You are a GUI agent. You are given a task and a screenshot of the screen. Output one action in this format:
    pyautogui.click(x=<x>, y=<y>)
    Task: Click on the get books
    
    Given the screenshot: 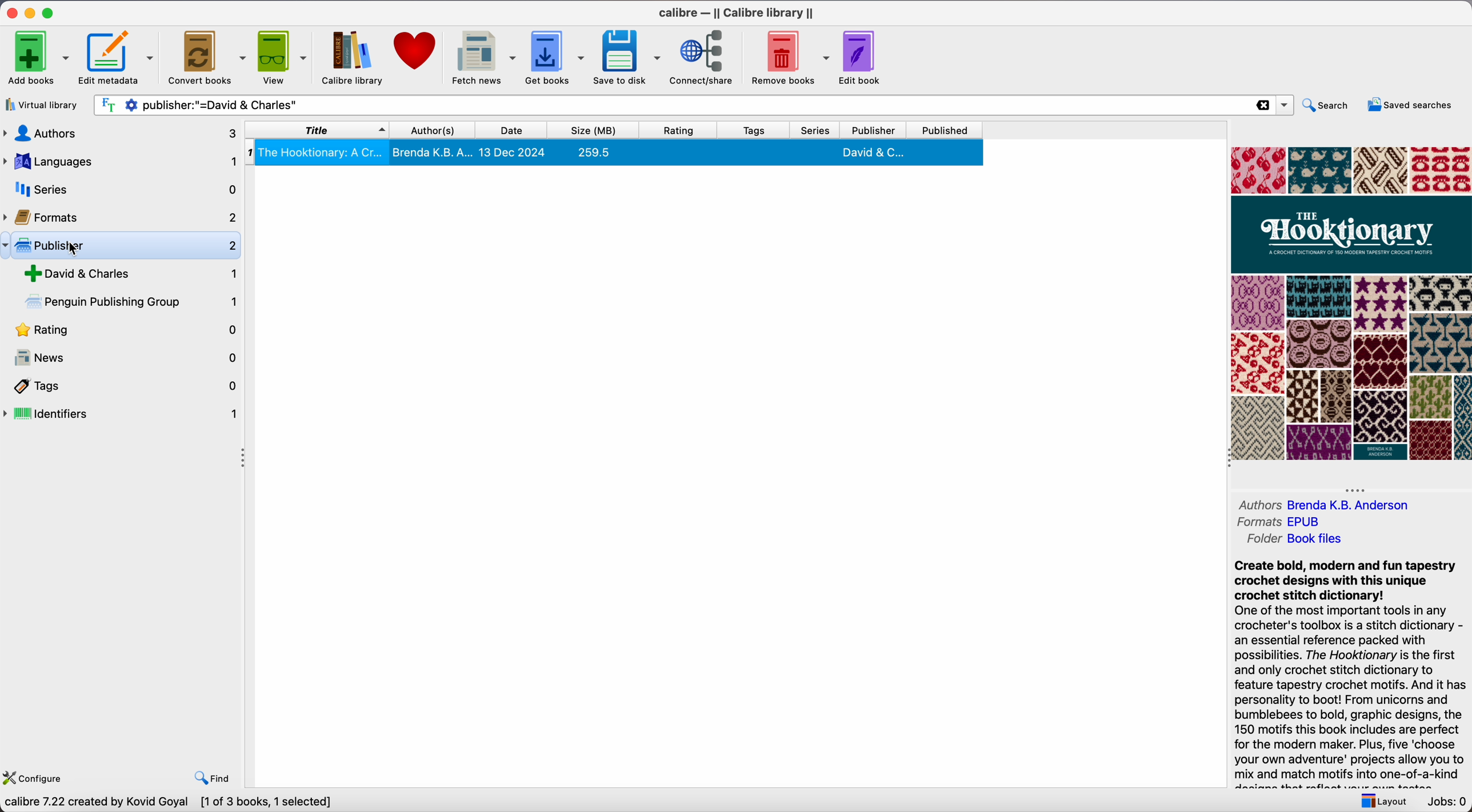 What is the action you would take?
    pyautogui.click(x=557, y=57)
    